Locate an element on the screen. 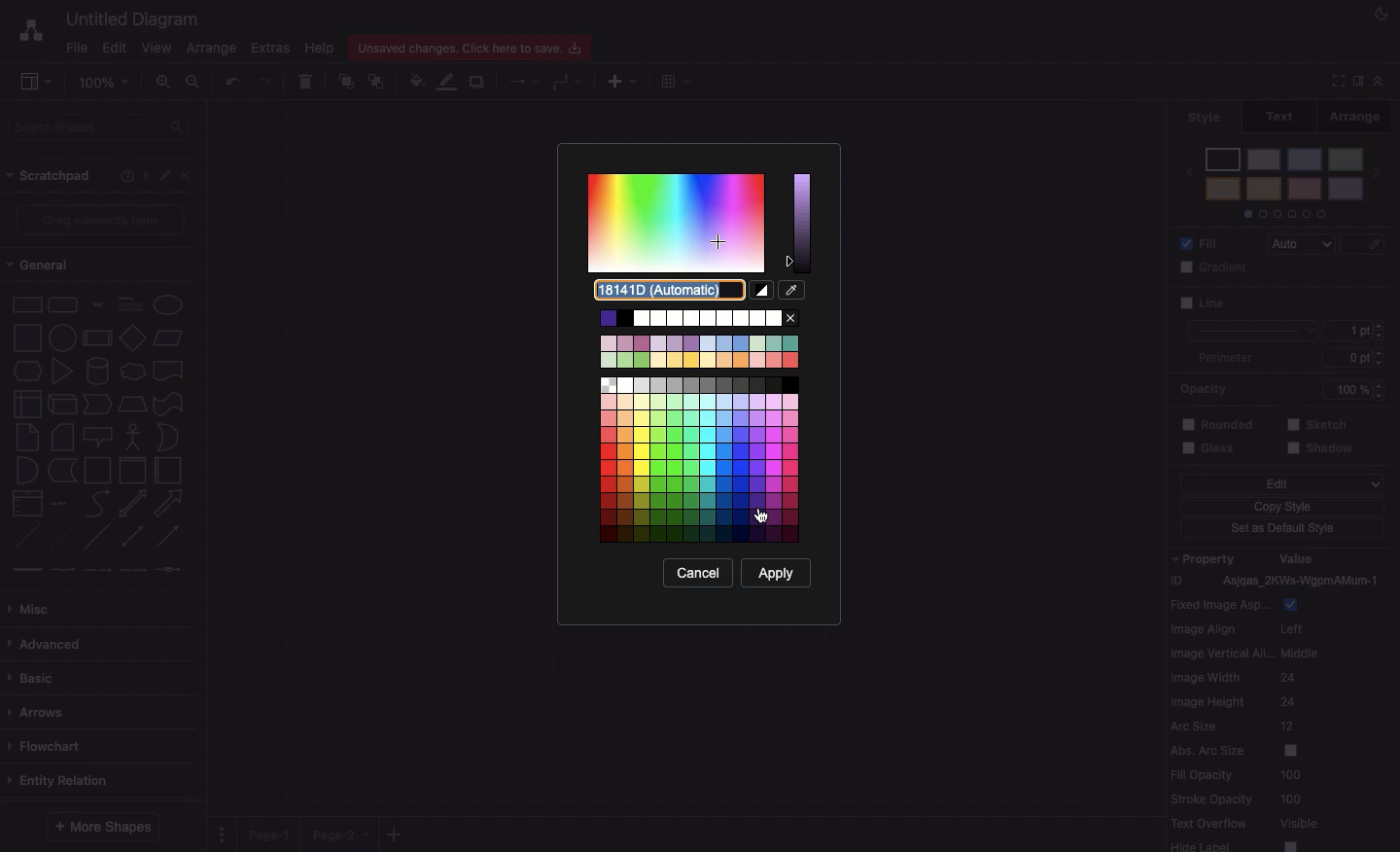 The image size is (1400, 852). Edit is located at coordinates (165, 176).